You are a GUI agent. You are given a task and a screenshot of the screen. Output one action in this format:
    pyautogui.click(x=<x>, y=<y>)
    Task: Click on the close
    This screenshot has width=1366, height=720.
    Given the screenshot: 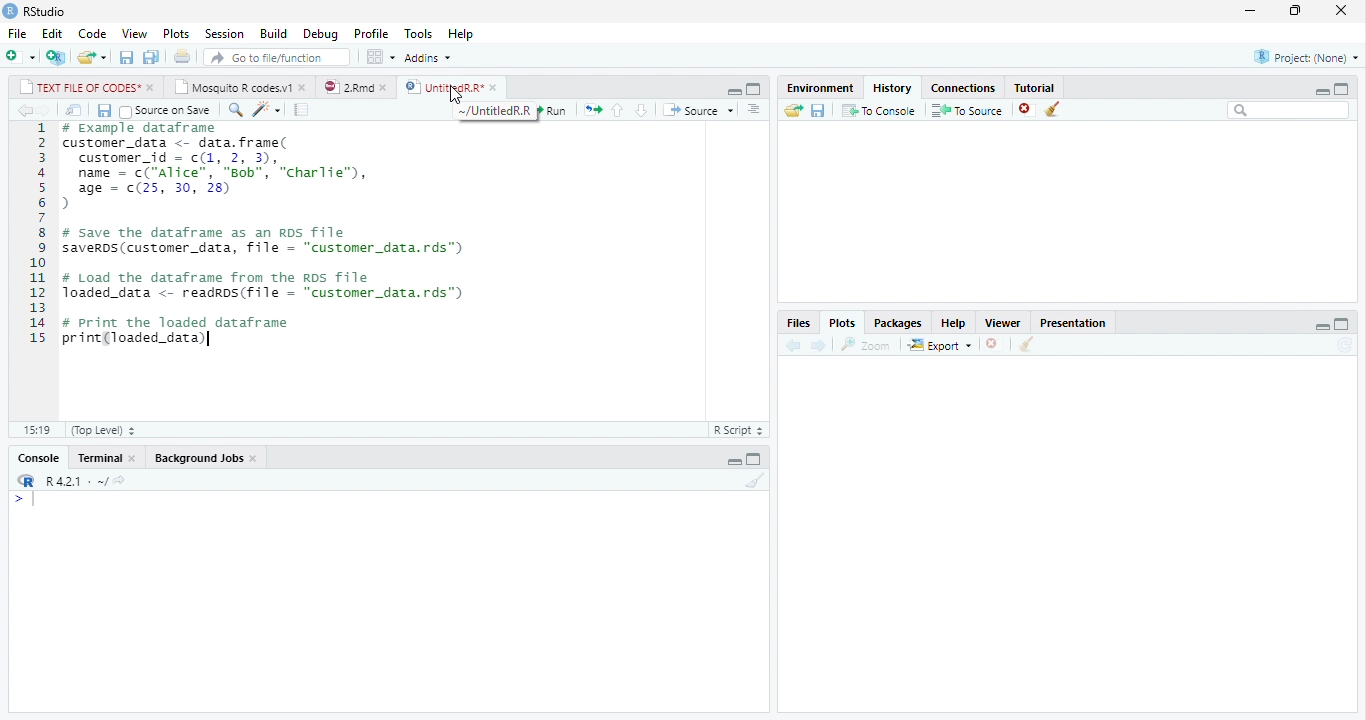 What is the action you would take?
    pyautogui.click(x=496, y=87)
    